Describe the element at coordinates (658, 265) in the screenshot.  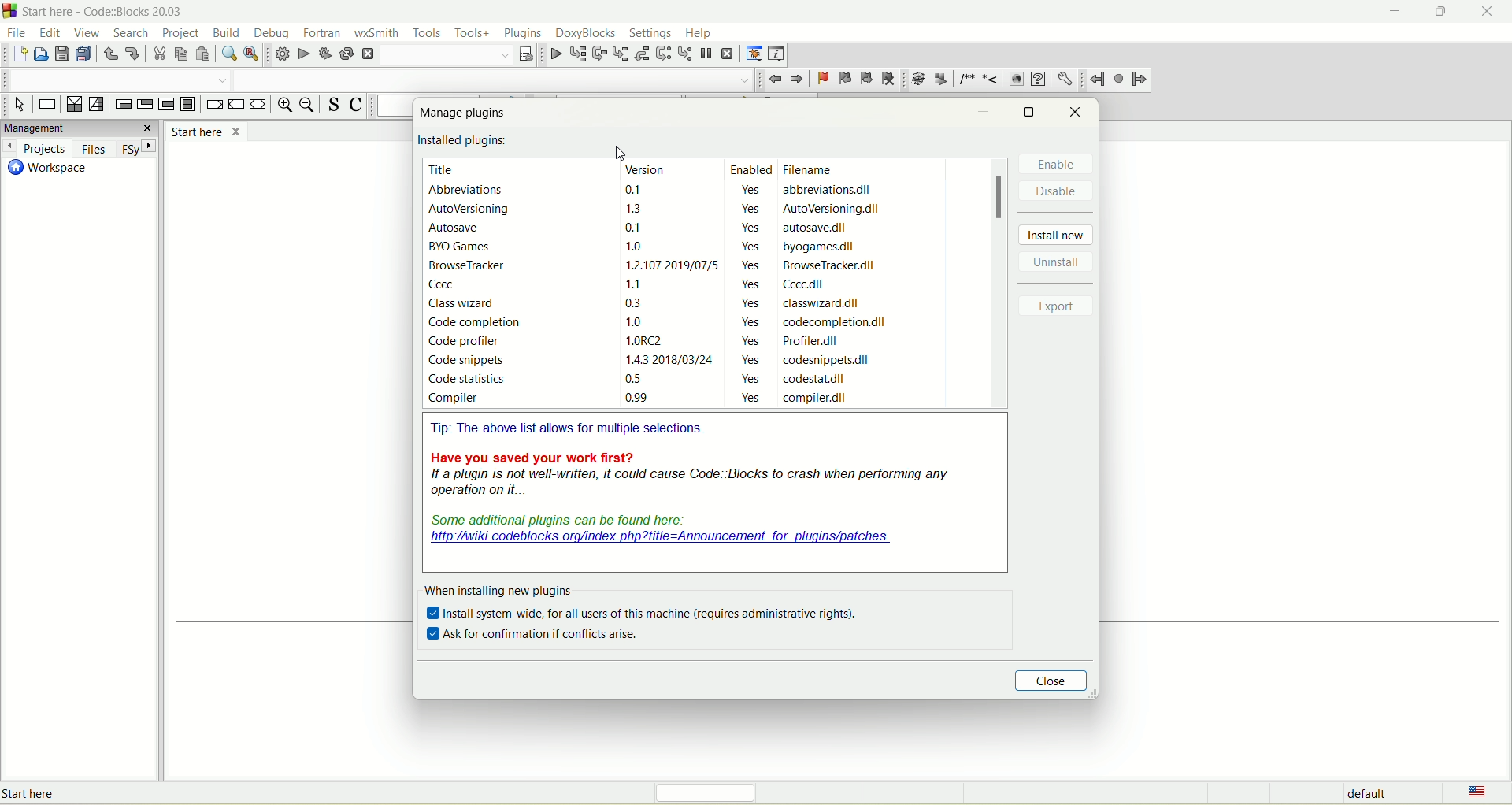
I see `BrowseTracker 1.2107 2019/07/5 Yes  BrowseTracker.dll` at that location.